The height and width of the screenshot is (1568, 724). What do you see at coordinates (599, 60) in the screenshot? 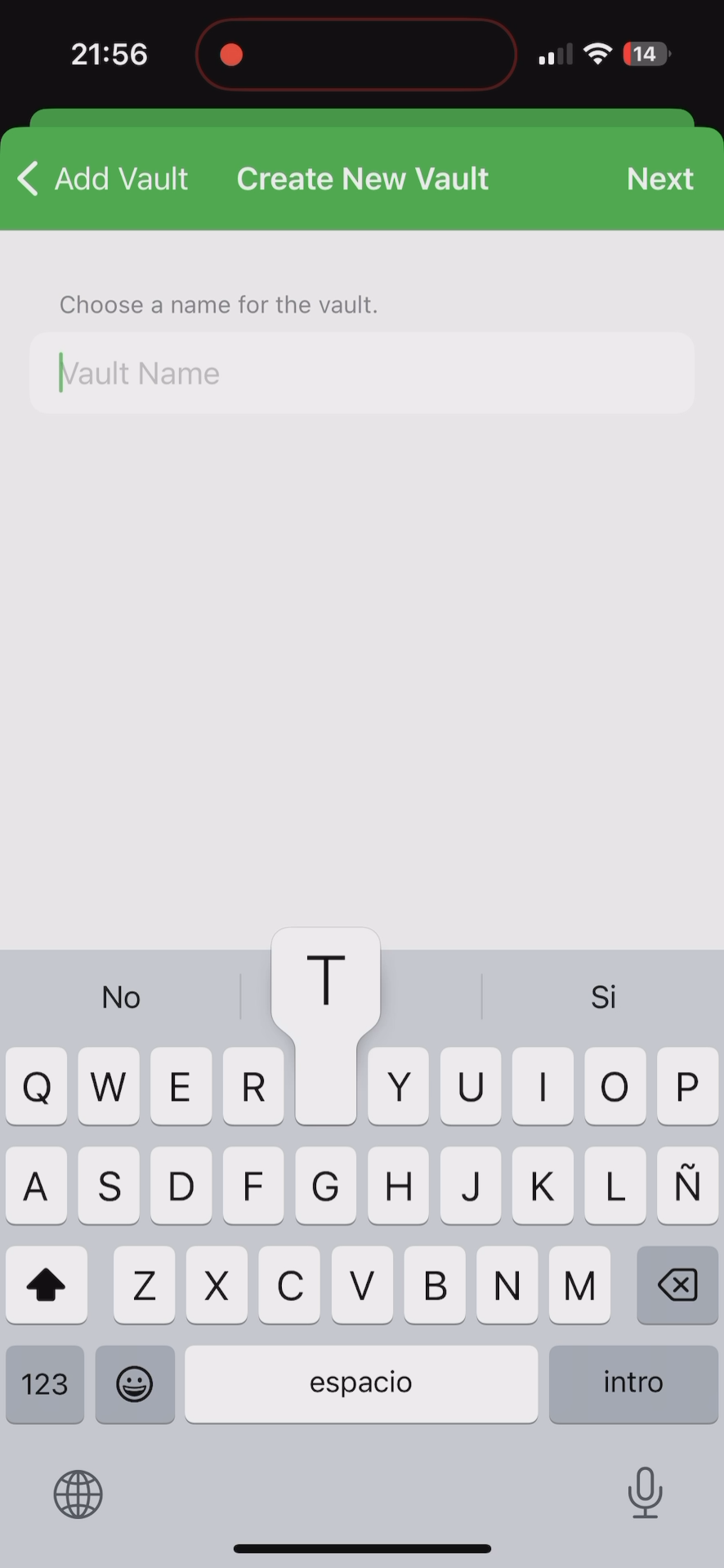
I see `wi-fi` at bounding box center [599, 60].